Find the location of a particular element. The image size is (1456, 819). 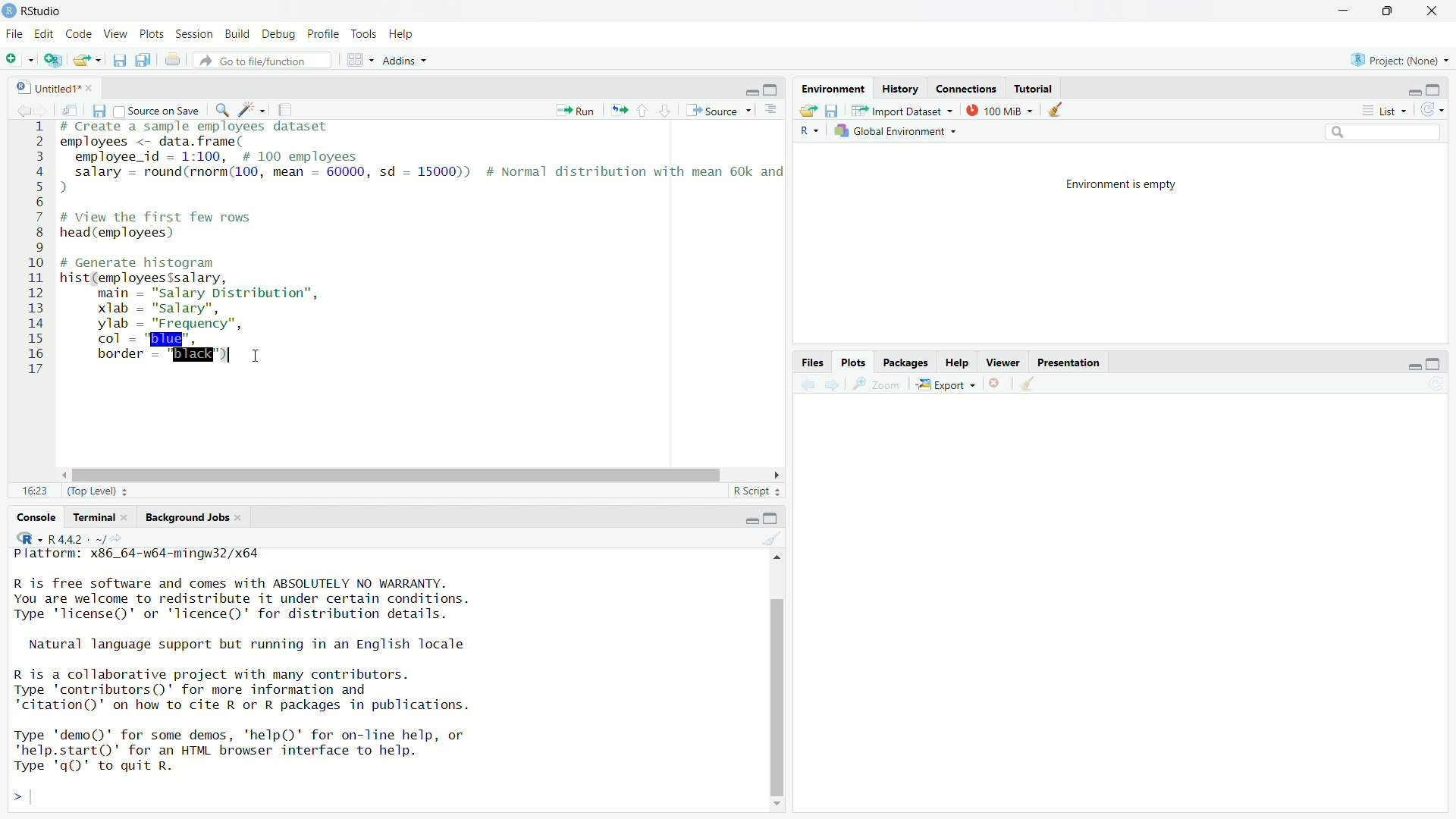

R is located at coordinates (810, 131).